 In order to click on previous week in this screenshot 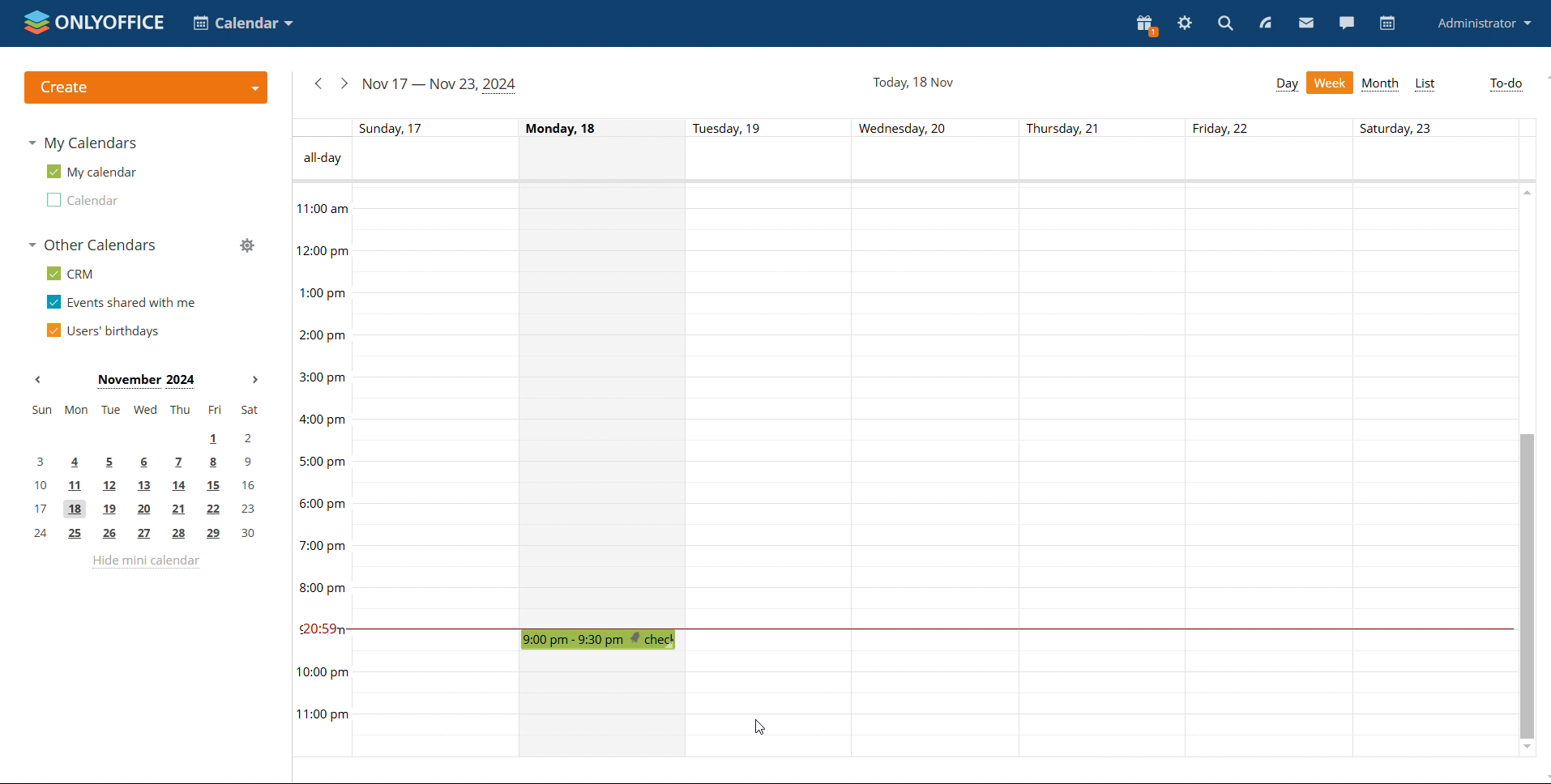, I will do `click(318, 84)`.